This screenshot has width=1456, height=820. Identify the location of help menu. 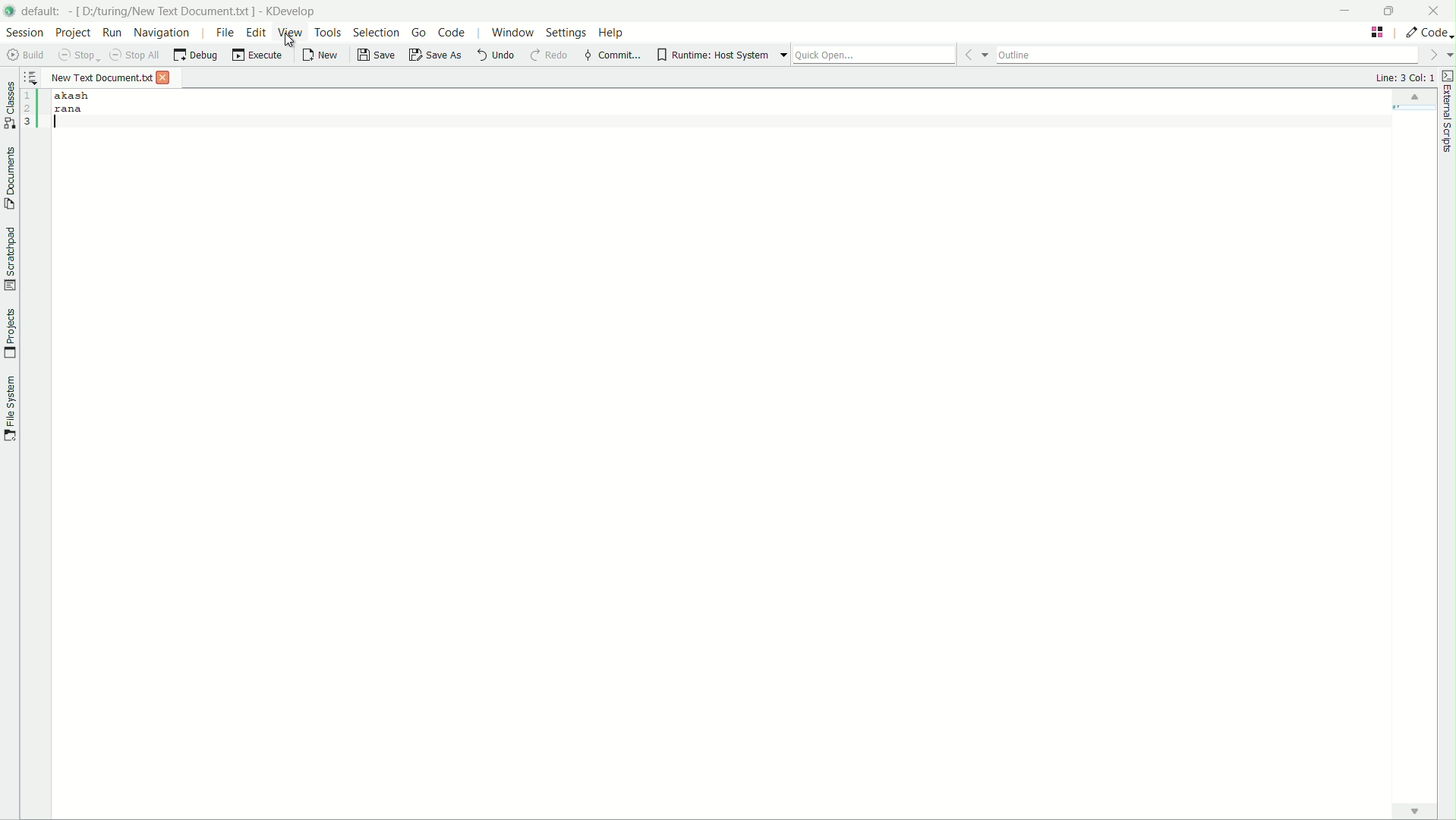
(613, 33).